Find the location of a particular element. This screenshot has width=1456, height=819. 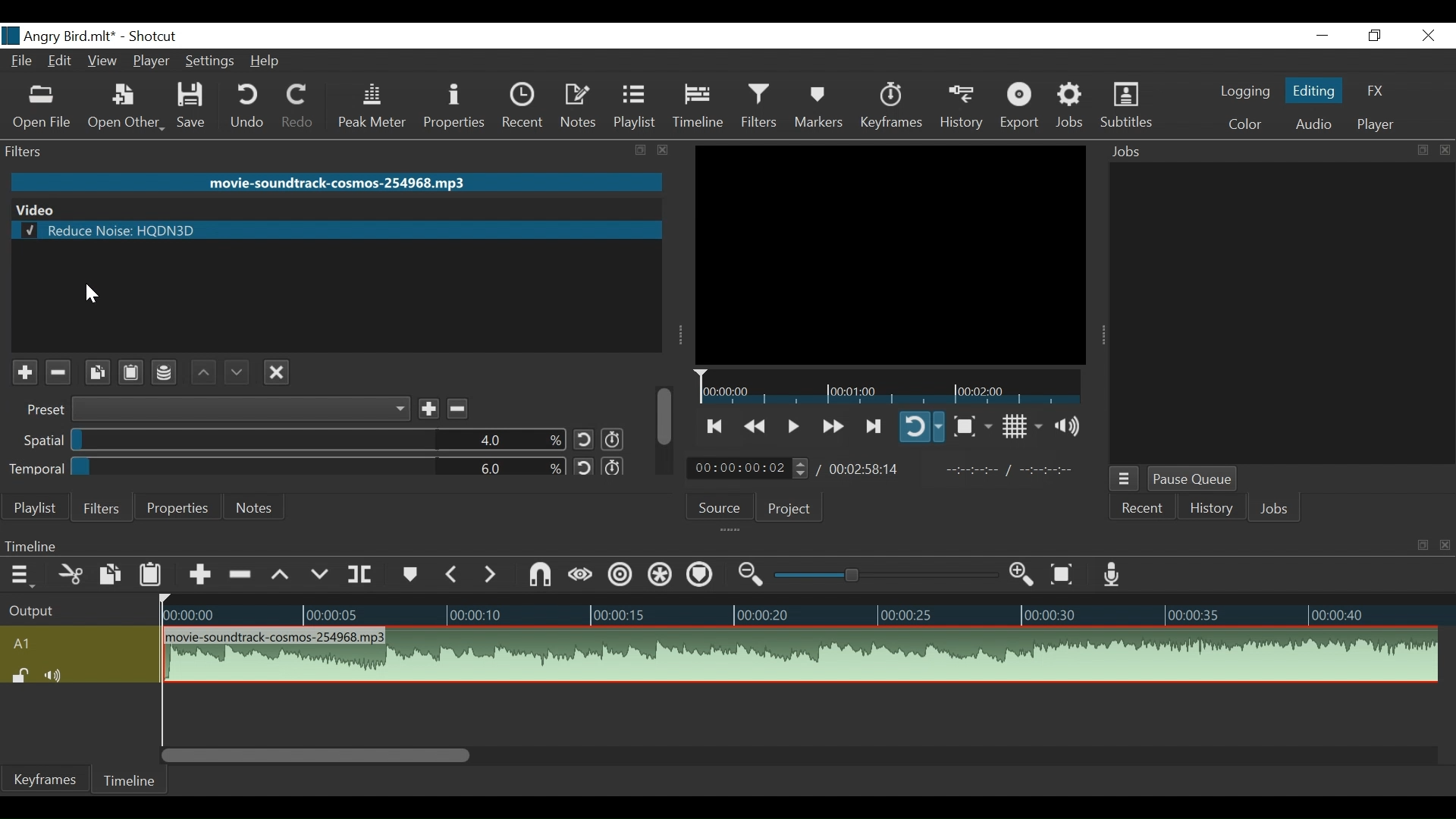

Keyframes is located at coordinates (46, 779).